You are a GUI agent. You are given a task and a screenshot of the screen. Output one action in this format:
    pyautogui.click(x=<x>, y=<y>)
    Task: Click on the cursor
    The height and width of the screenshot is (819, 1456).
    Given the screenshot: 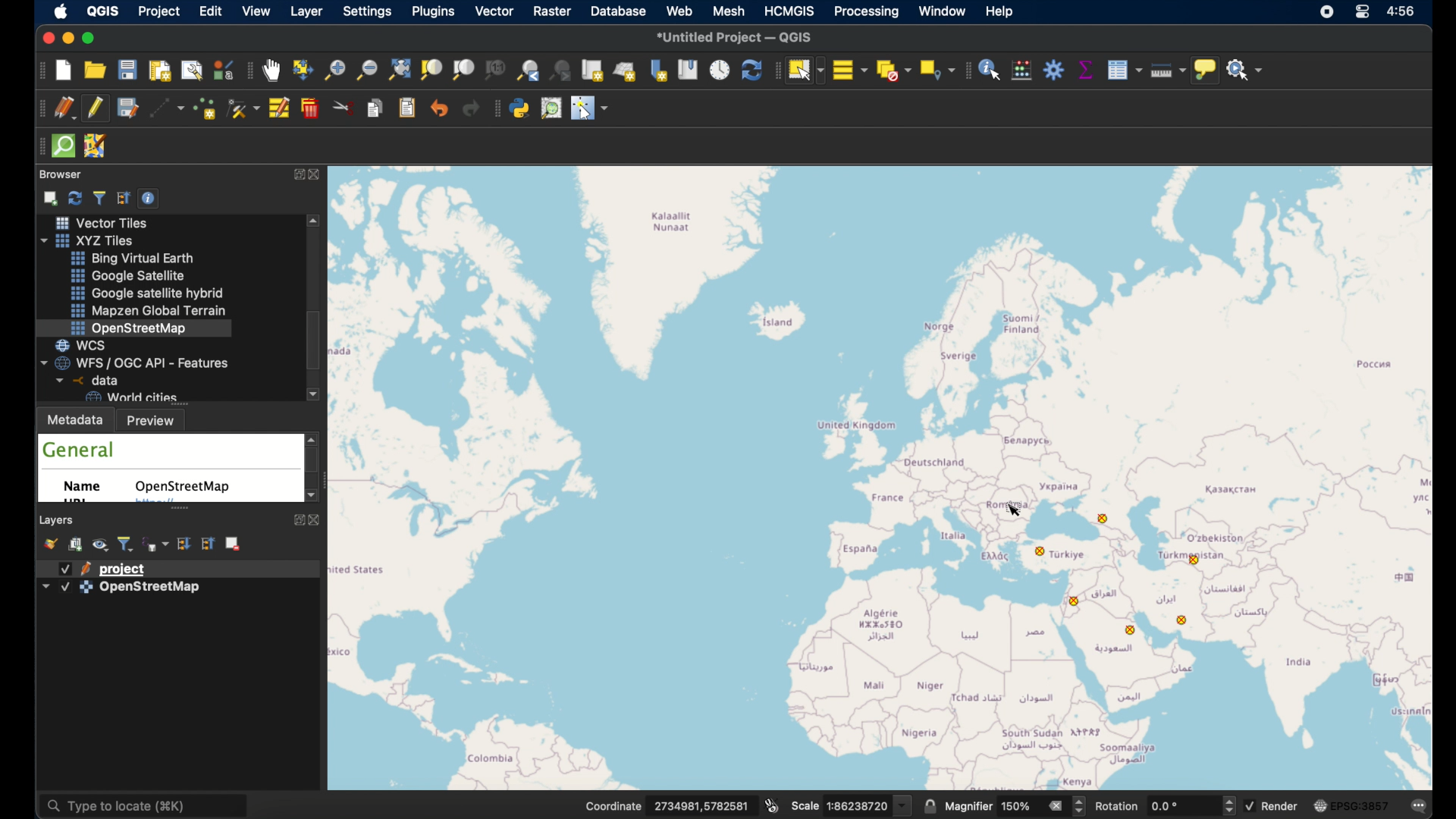 What is the action you would take?
    pyautogui.click(x=1020, y=510)
    